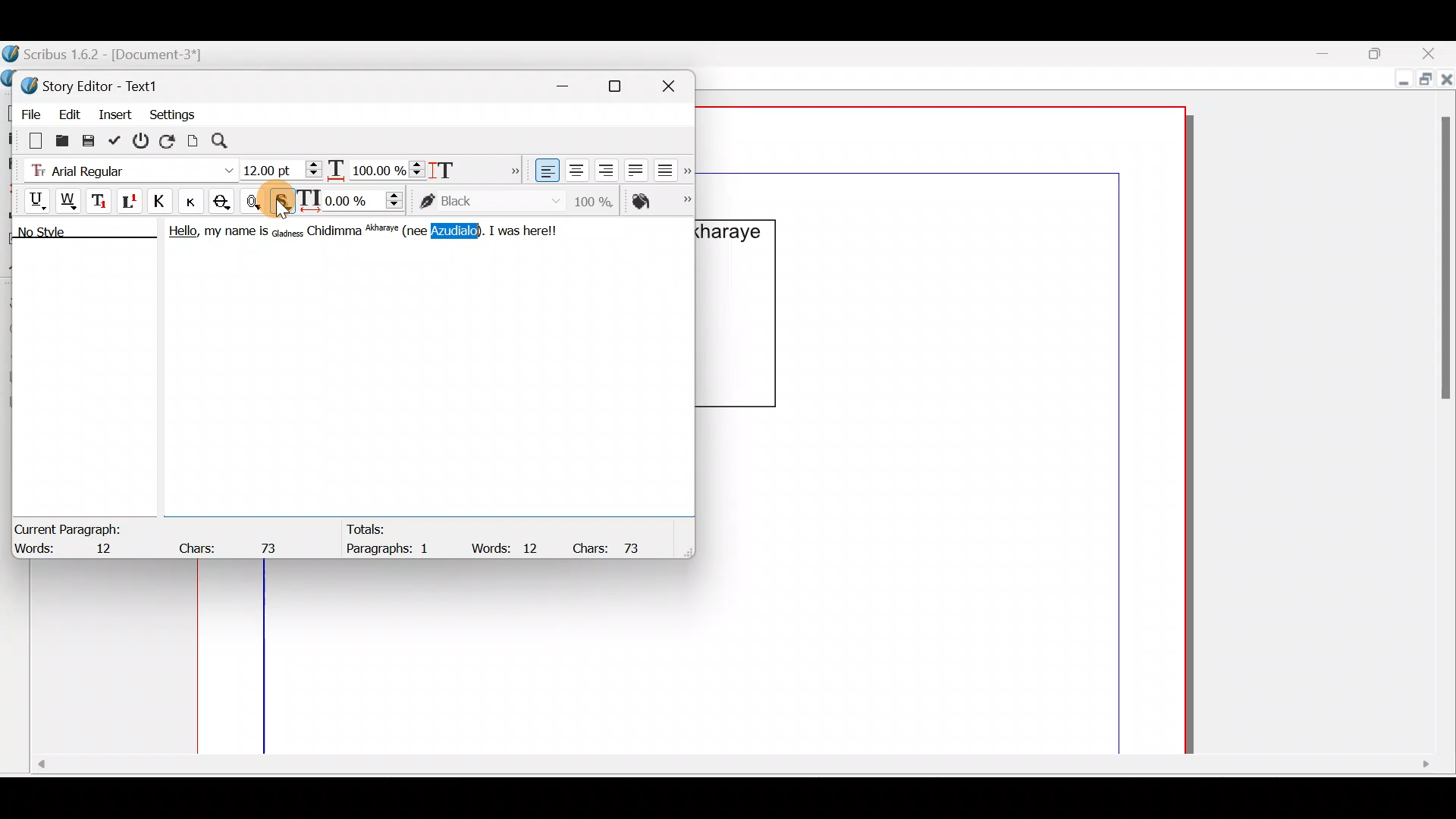 Image resolution: width=1456 pixels, height=819 pixels. I want to click on All caps, so click(163, 203).